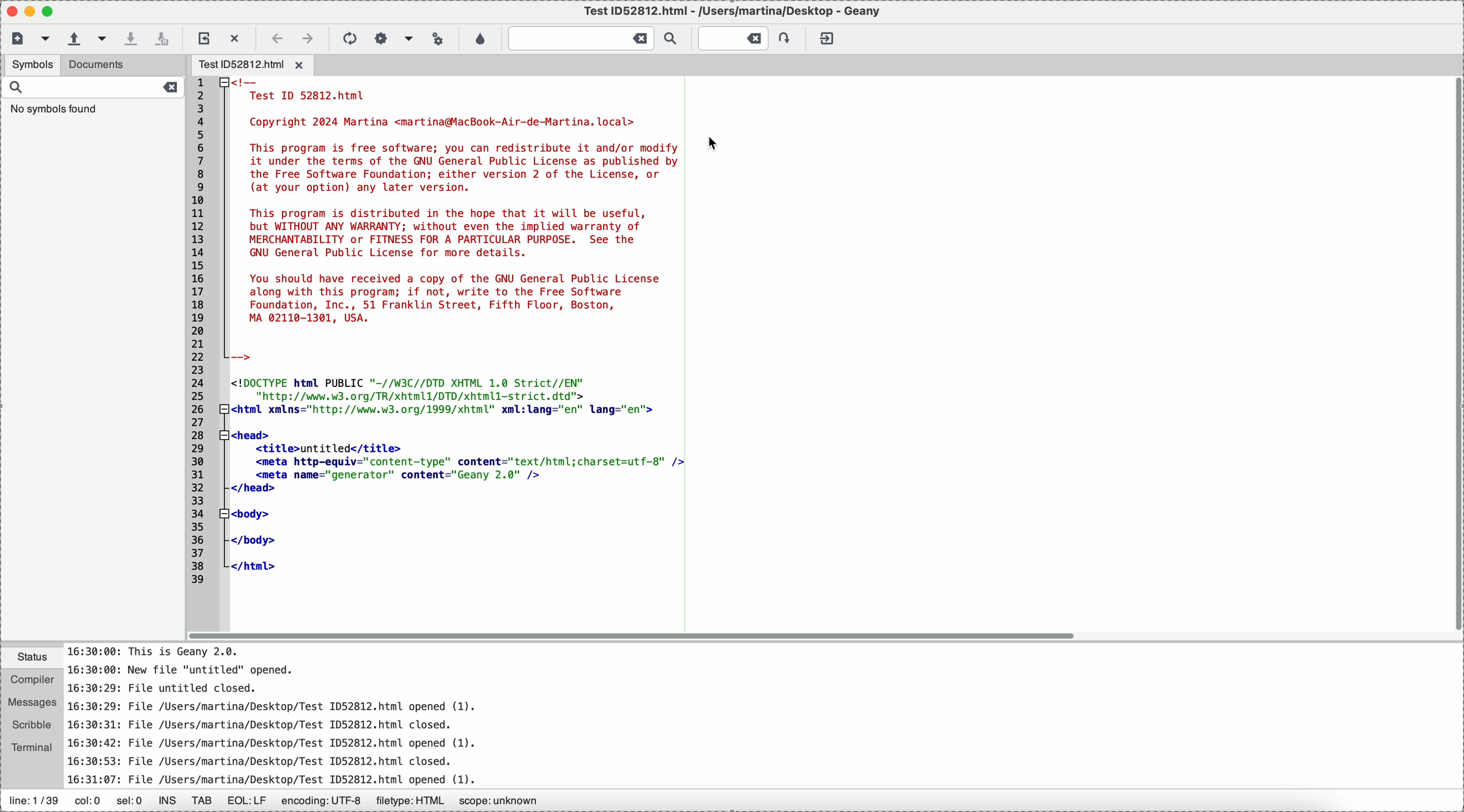 The width and height of the screenshot is (1464, 812). Describe the element at coordinates (33, 748) in the screenshot. I see `terminal` at that location.